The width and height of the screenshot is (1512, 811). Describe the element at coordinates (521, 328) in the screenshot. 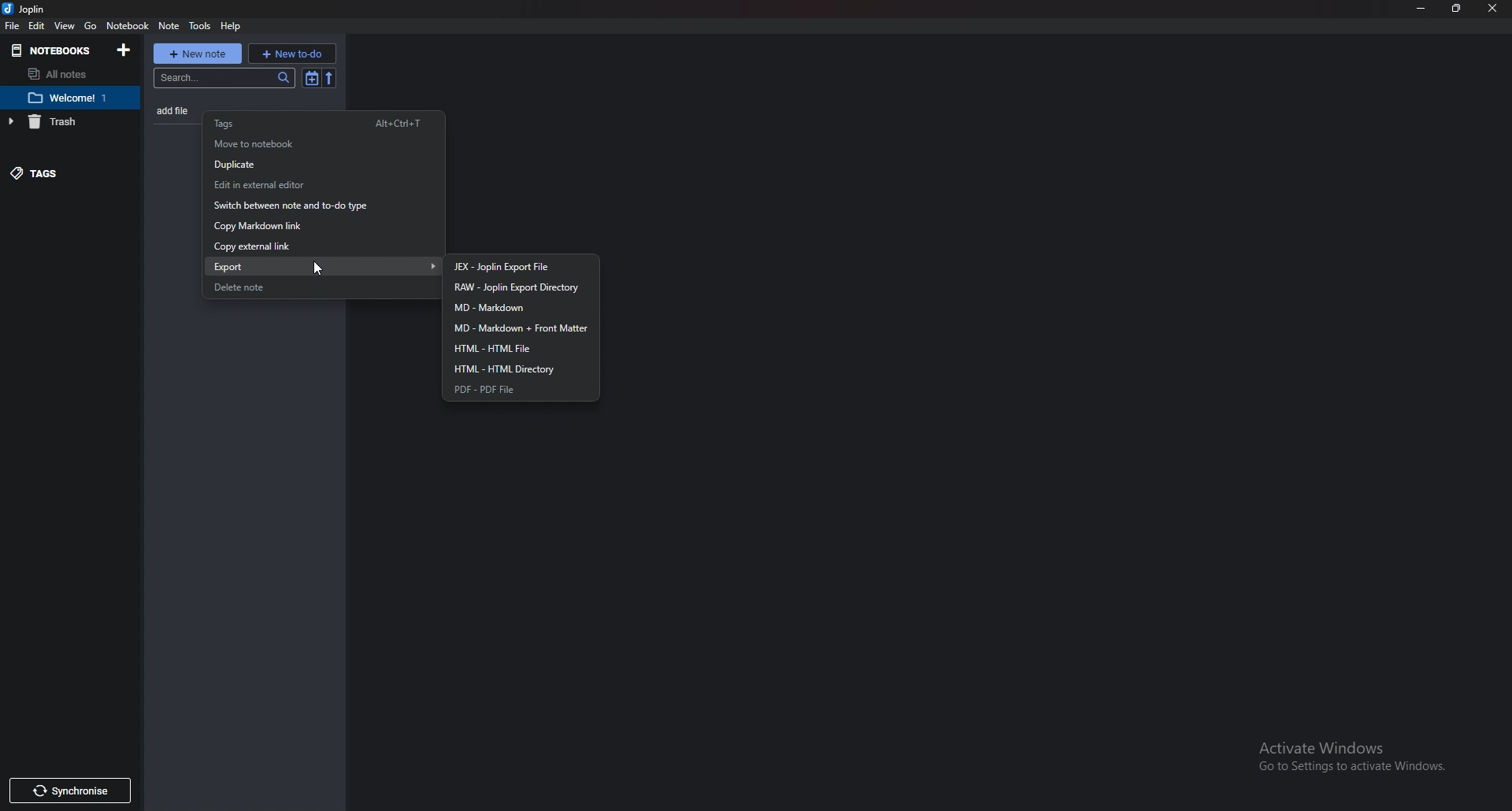

I see `markdown + front matter` at that location.